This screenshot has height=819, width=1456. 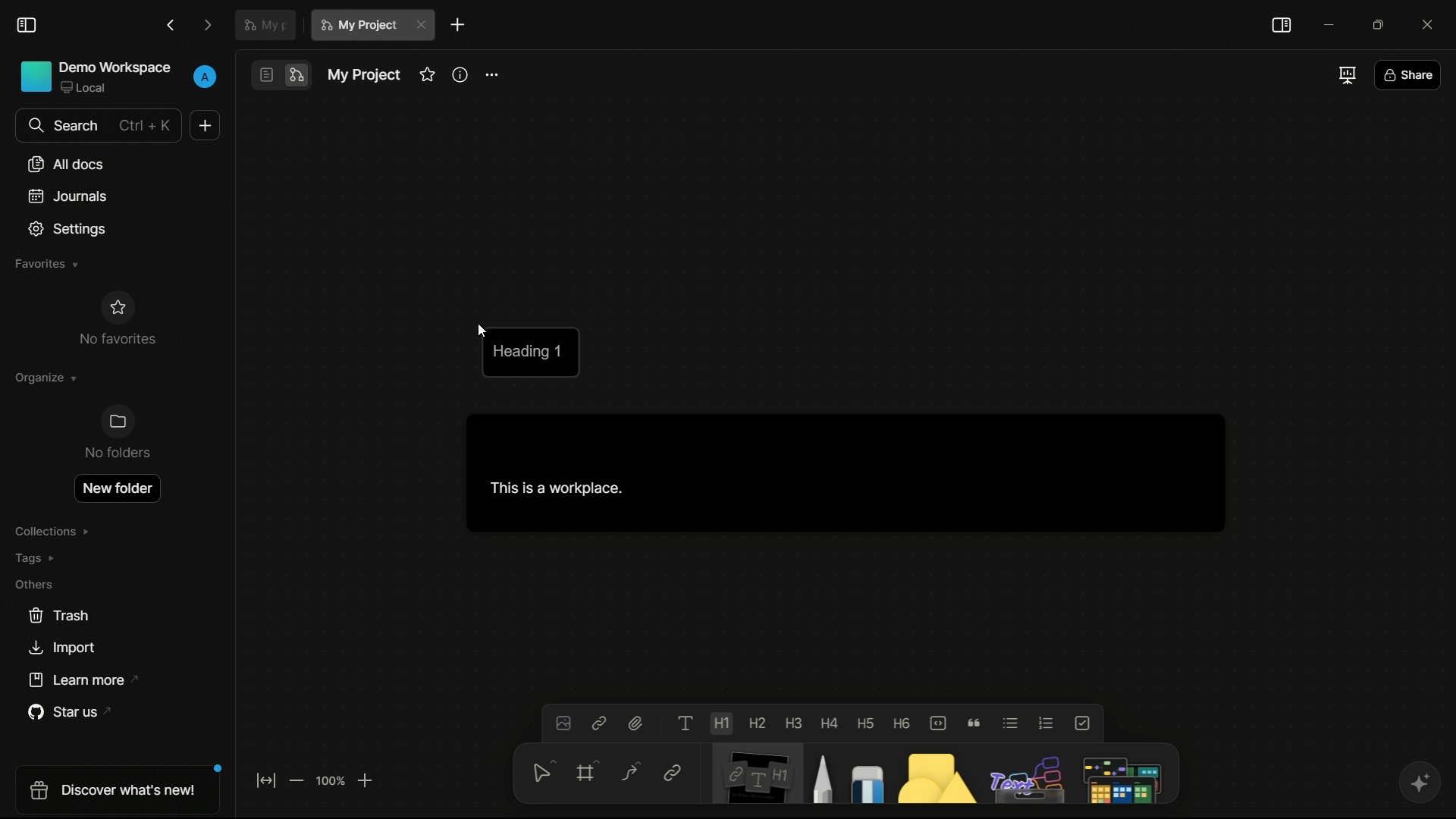 I want to click on connector, so click(x=626, y=772).